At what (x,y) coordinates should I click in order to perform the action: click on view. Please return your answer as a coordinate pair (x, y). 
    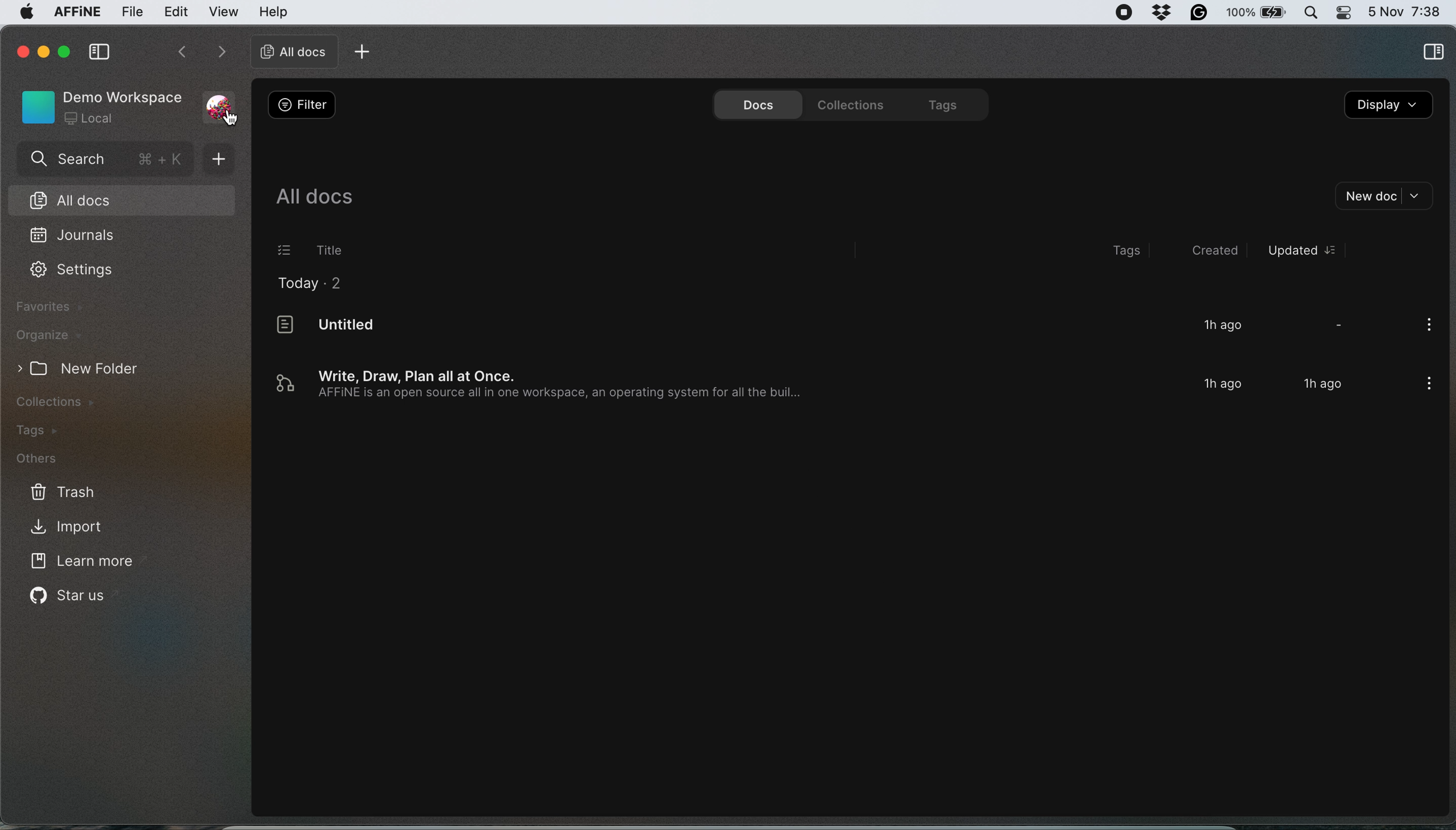
    Looking at the image, I should click on (225, 12).